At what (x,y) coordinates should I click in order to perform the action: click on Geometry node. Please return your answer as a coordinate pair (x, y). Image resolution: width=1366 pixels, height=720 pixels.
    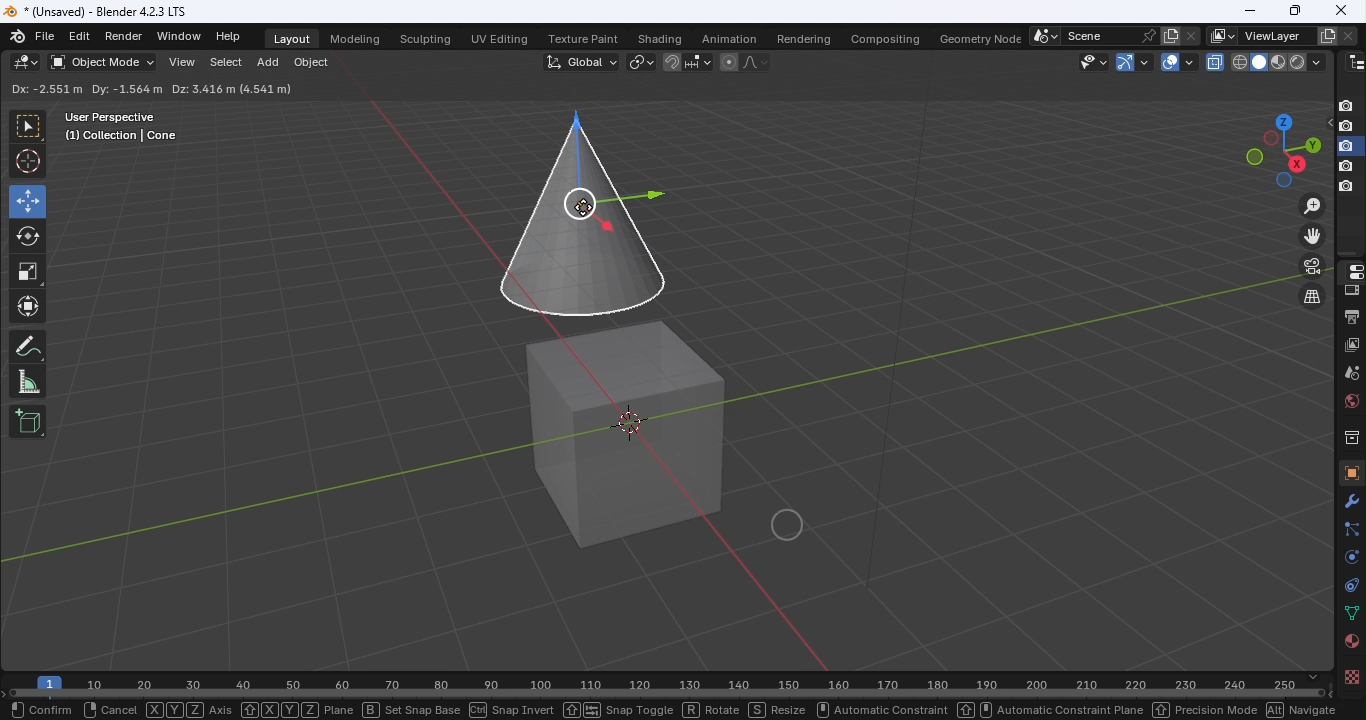
    Looking at the image, I should click on (982, 36).